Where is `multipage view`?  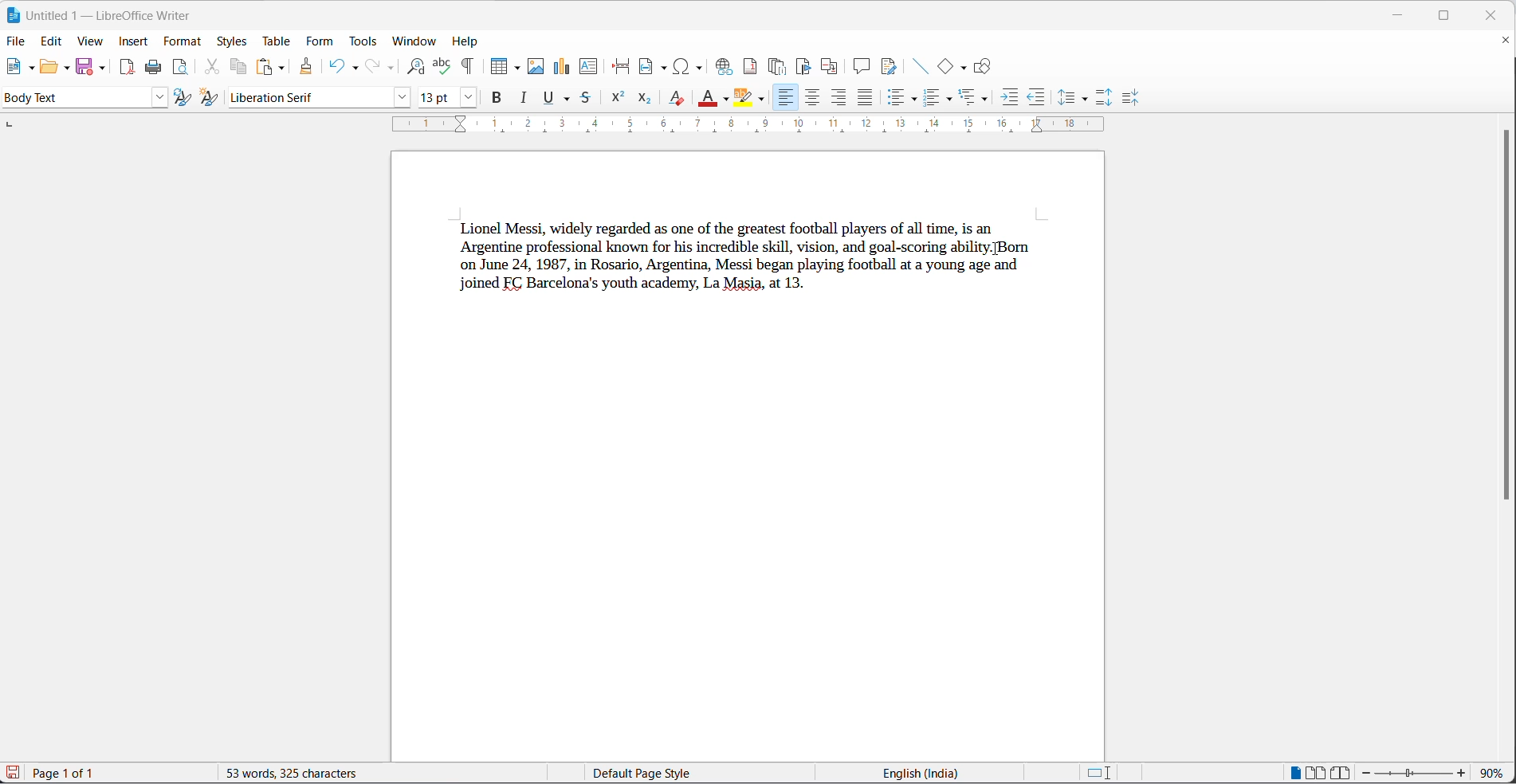 multipage view is located at coordinates (1316, 772).